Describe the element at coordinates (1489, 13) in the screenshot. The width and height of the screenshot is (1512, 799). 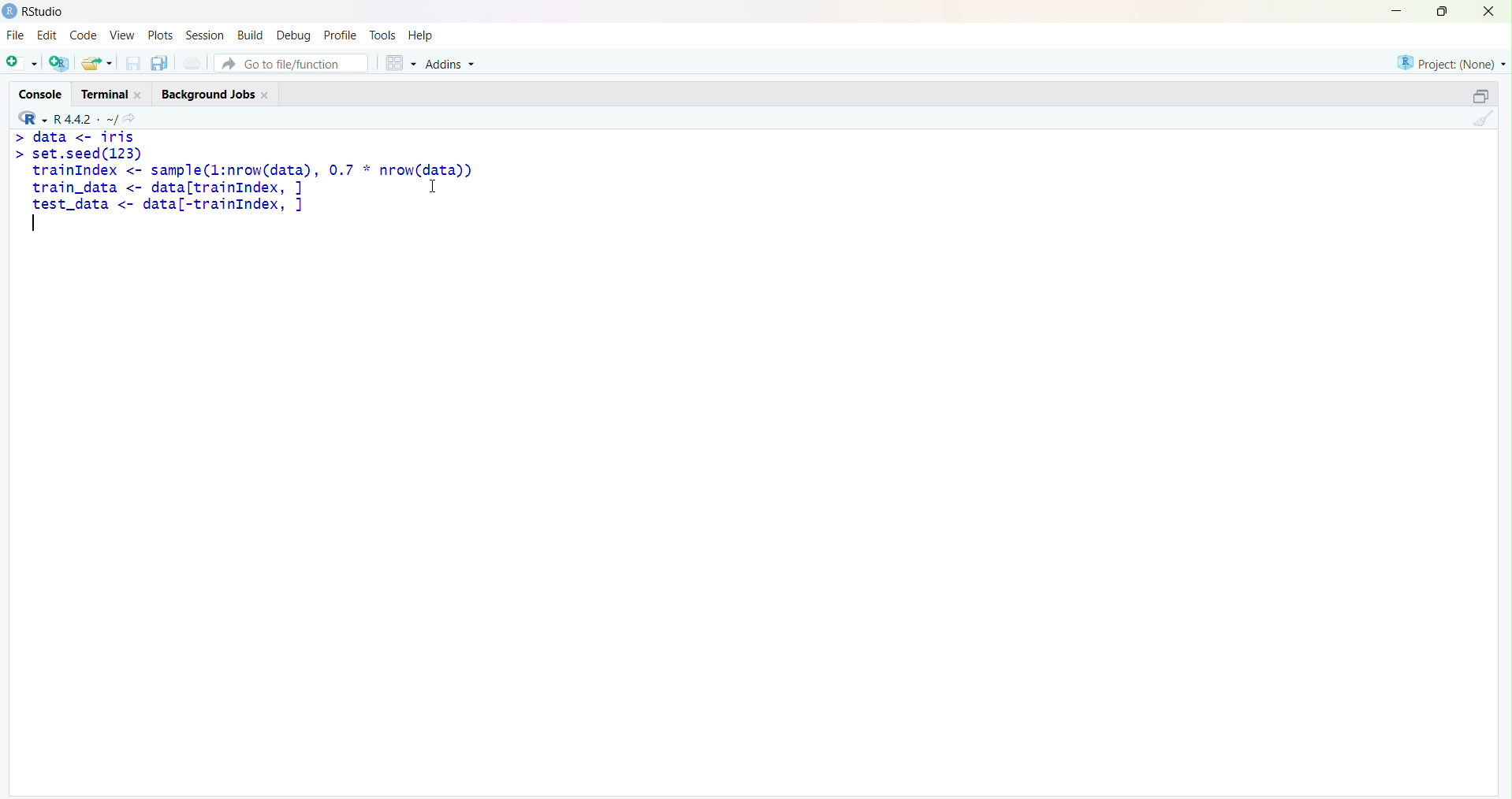
I see `Close` at that location.